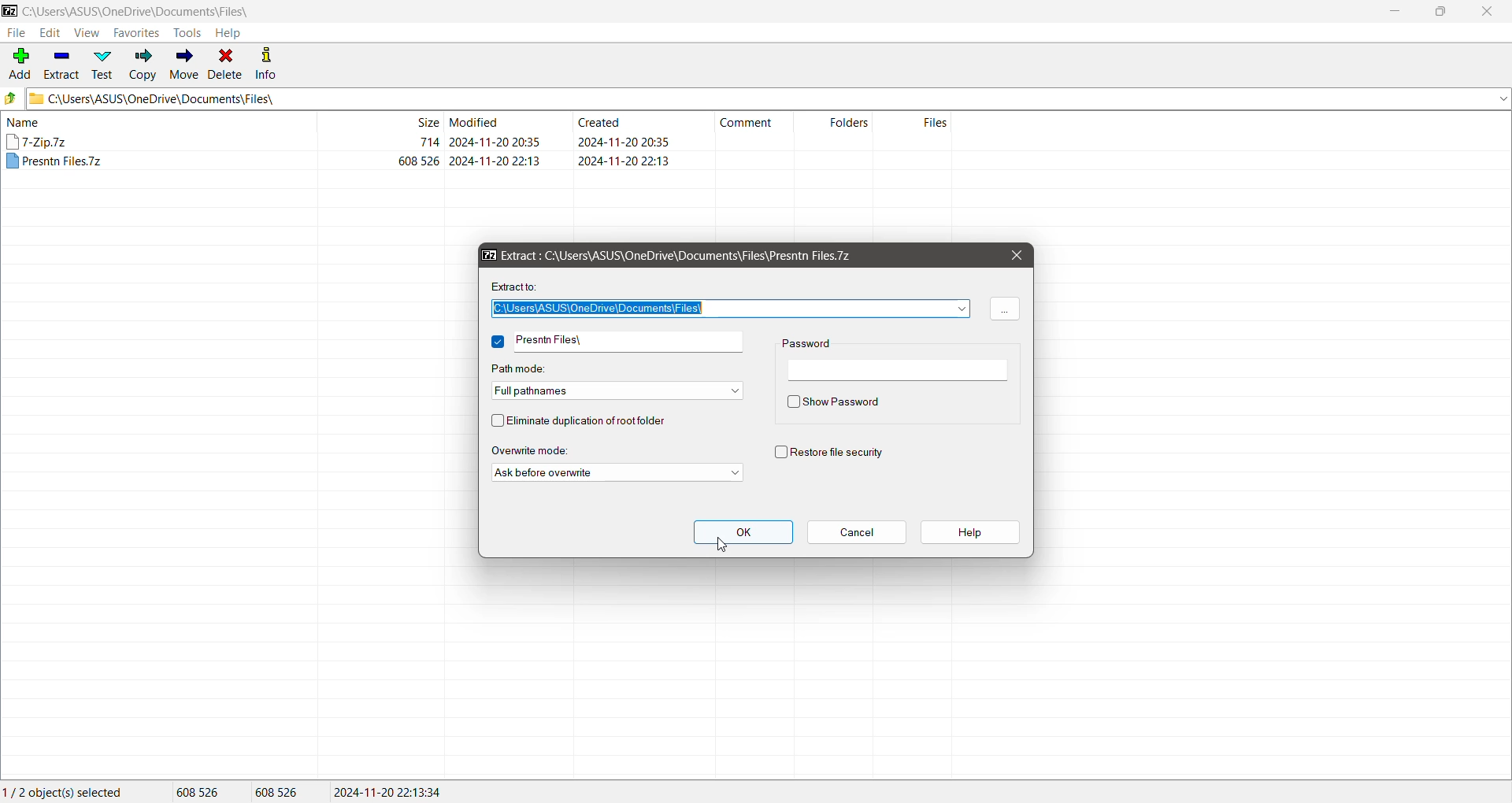  Describe the element at coordinates (16, 33) in the screenshot. I see `File` at that location.